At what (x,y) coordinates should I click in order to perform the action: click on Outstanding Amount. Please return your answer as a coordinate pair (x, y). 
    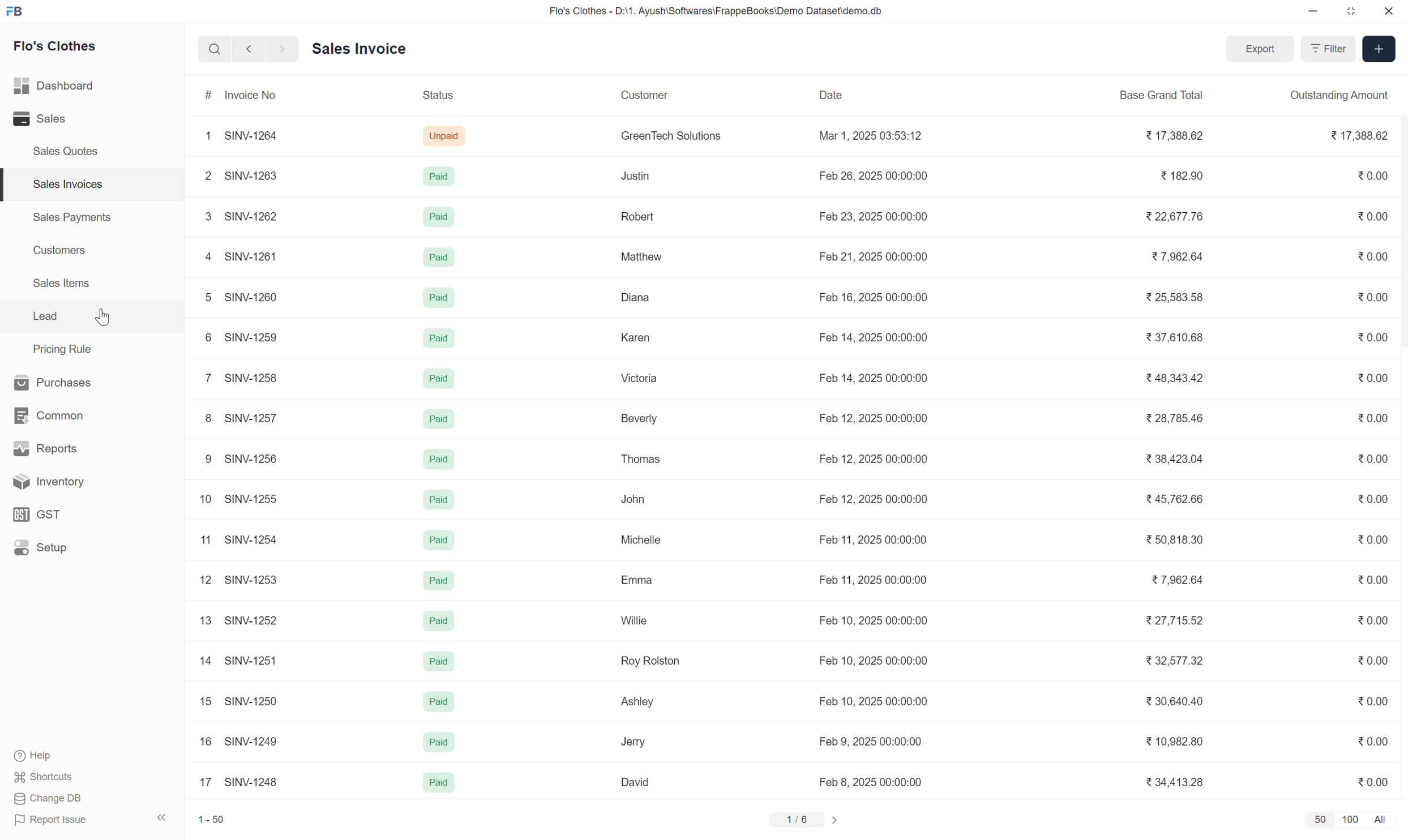
    Looking at the image, I should click on (1334, 95).